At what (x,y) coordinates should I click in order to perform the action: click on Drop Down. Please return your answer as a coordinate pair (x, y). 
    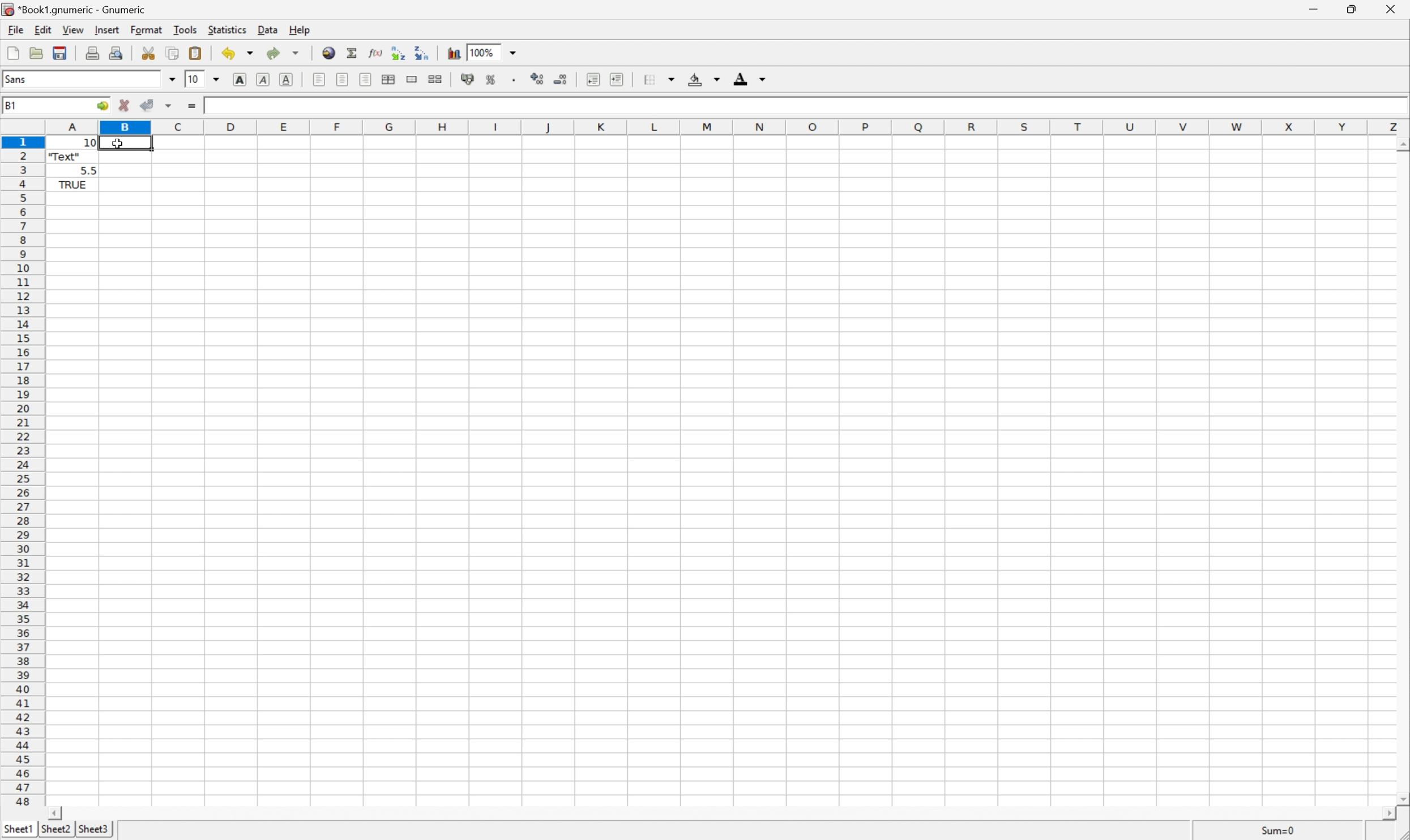
    Looking at the image, I should click on (512, 52).